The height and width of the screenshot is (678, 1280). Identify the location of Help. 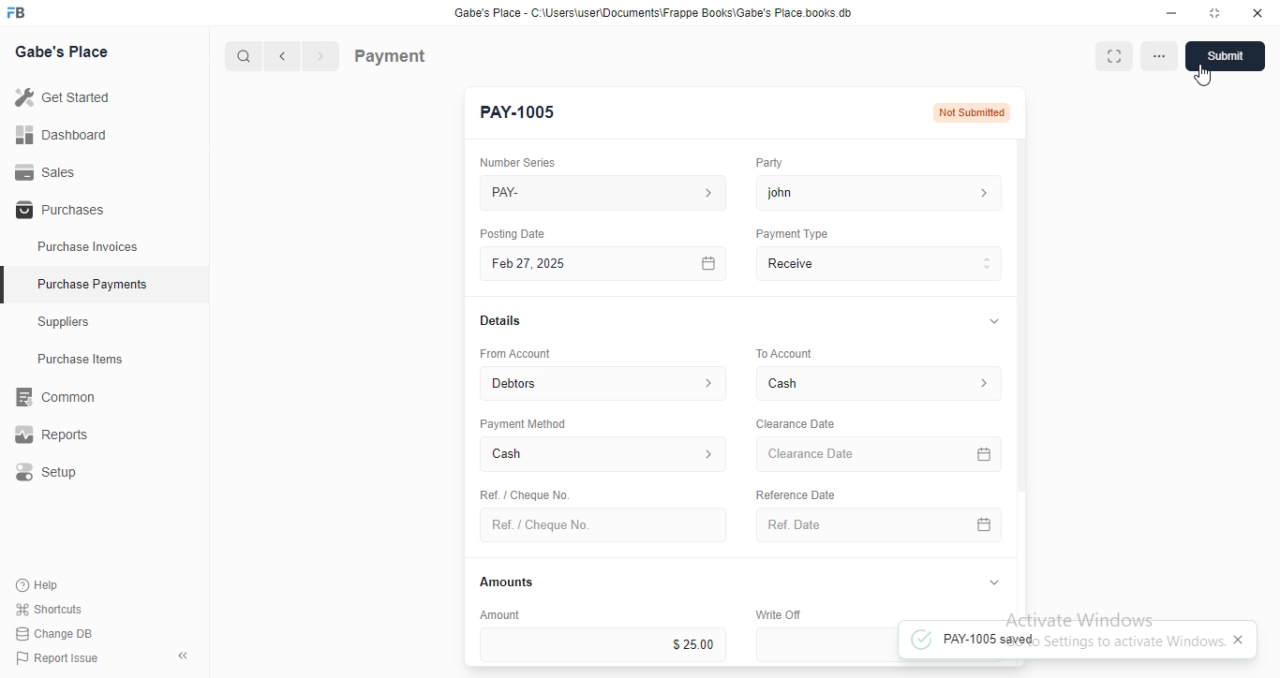
(40, 586).